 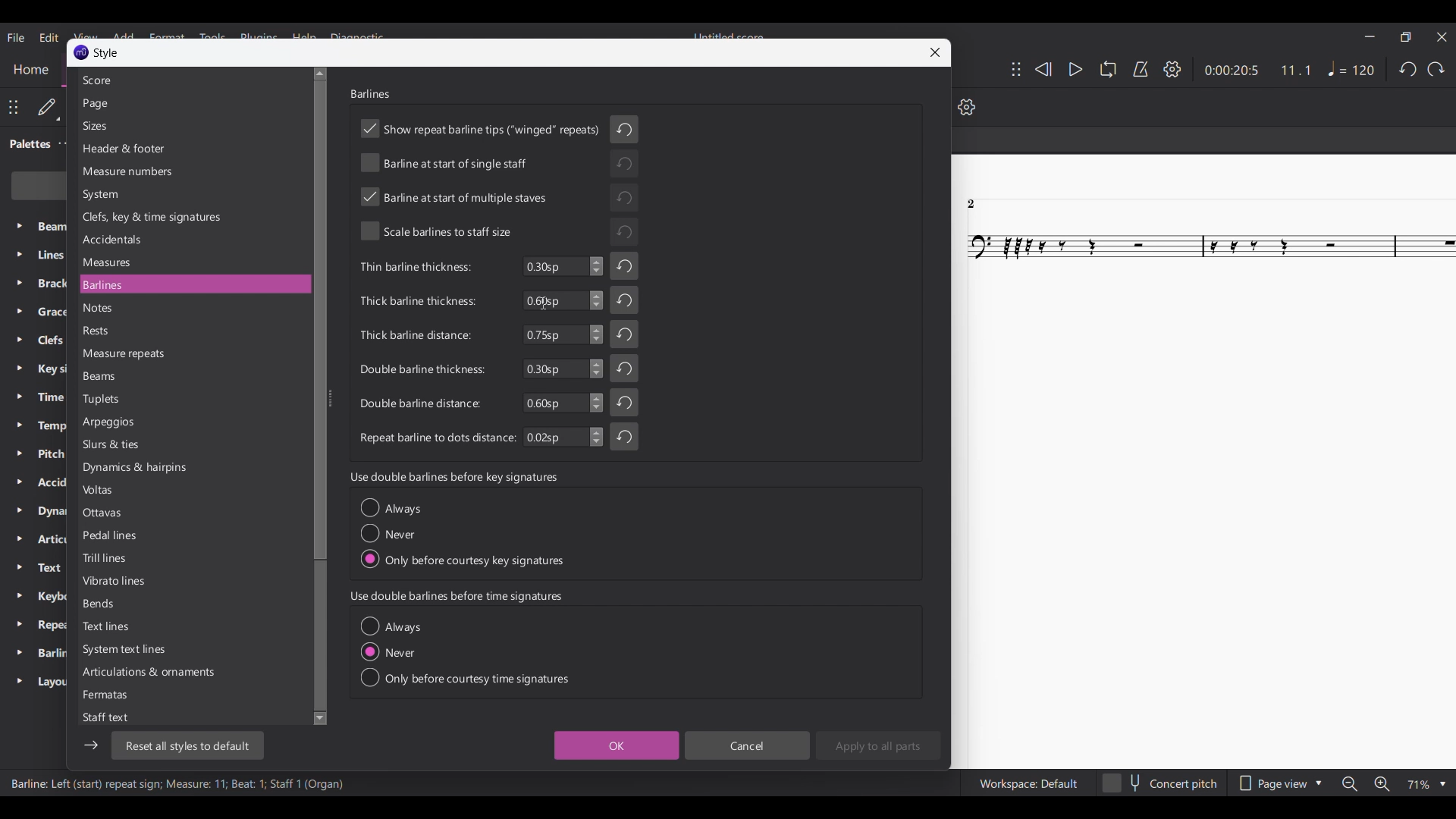 I want to click on Change toolbar position, so click(x=14, y=108).